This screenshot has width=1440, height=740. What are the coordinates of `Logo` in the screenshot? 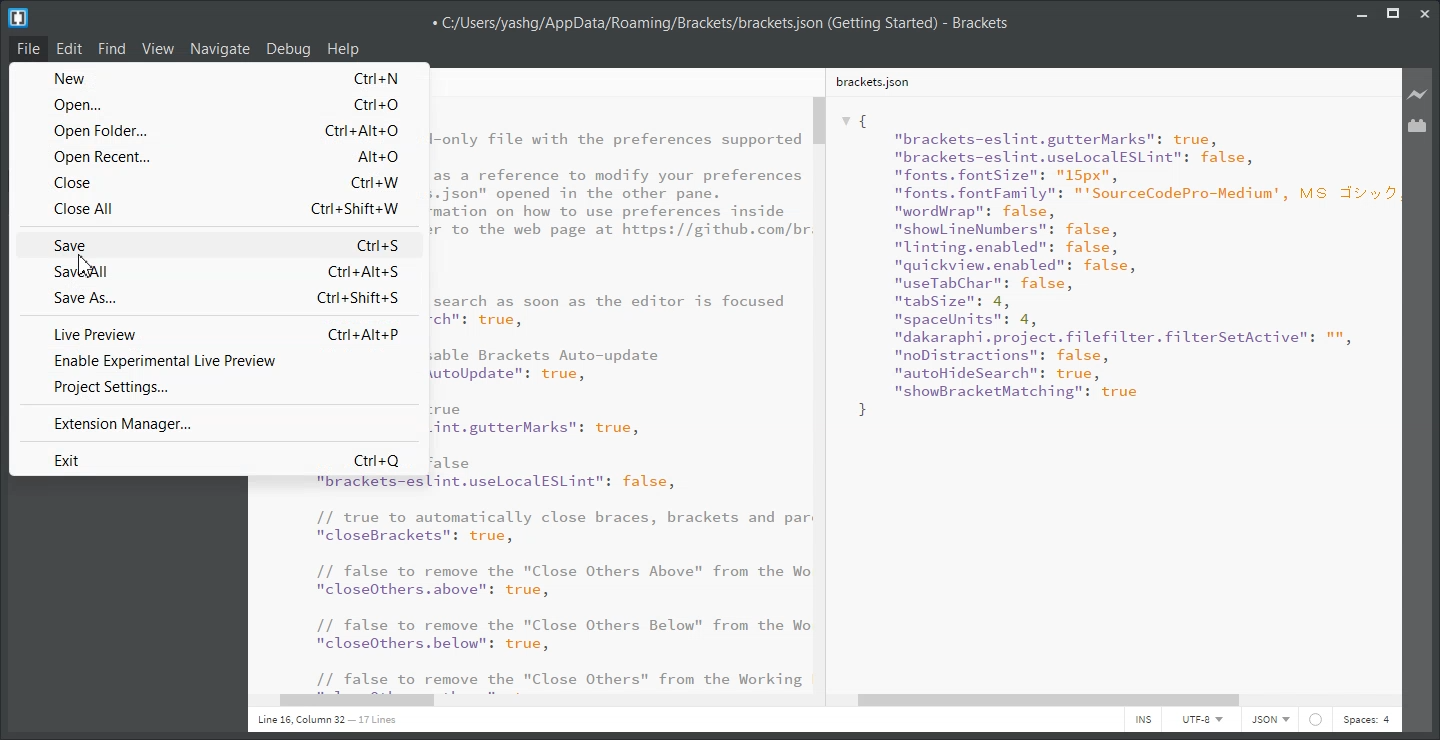 It's located at (26, 17).